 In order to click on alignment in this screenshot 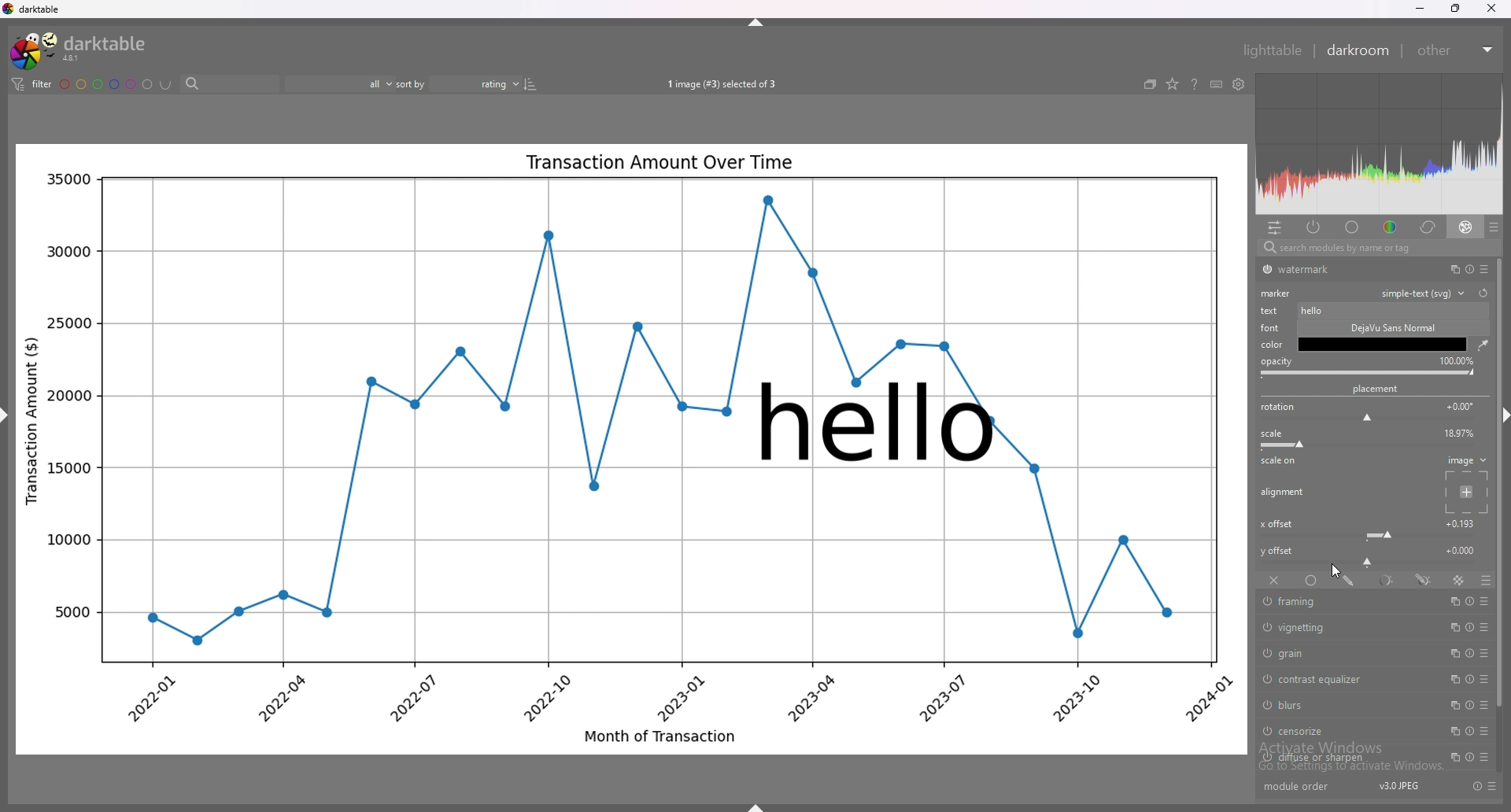, I will do `click(1284, 492)`.